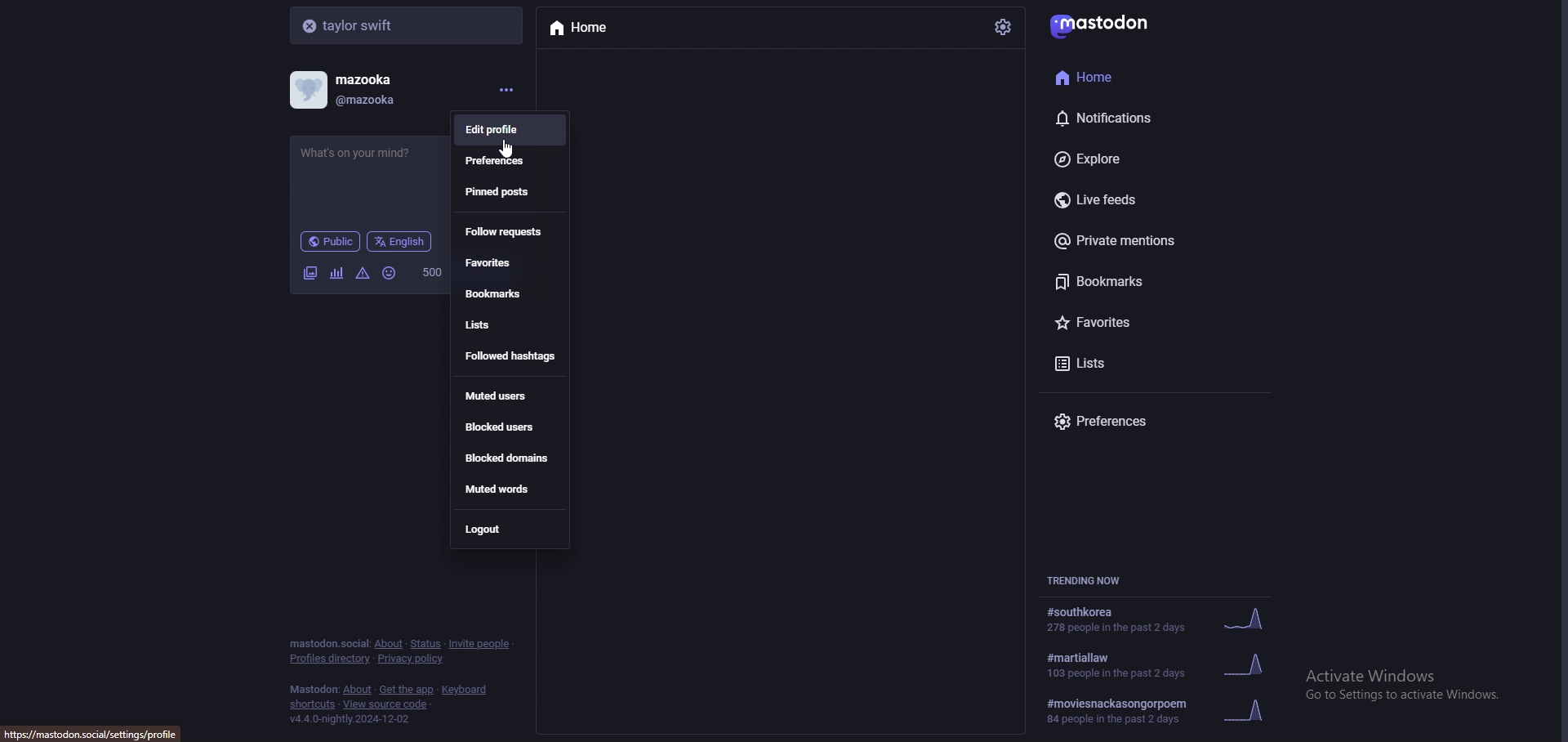  I want to click on followed hashtags, so click(510, 356).